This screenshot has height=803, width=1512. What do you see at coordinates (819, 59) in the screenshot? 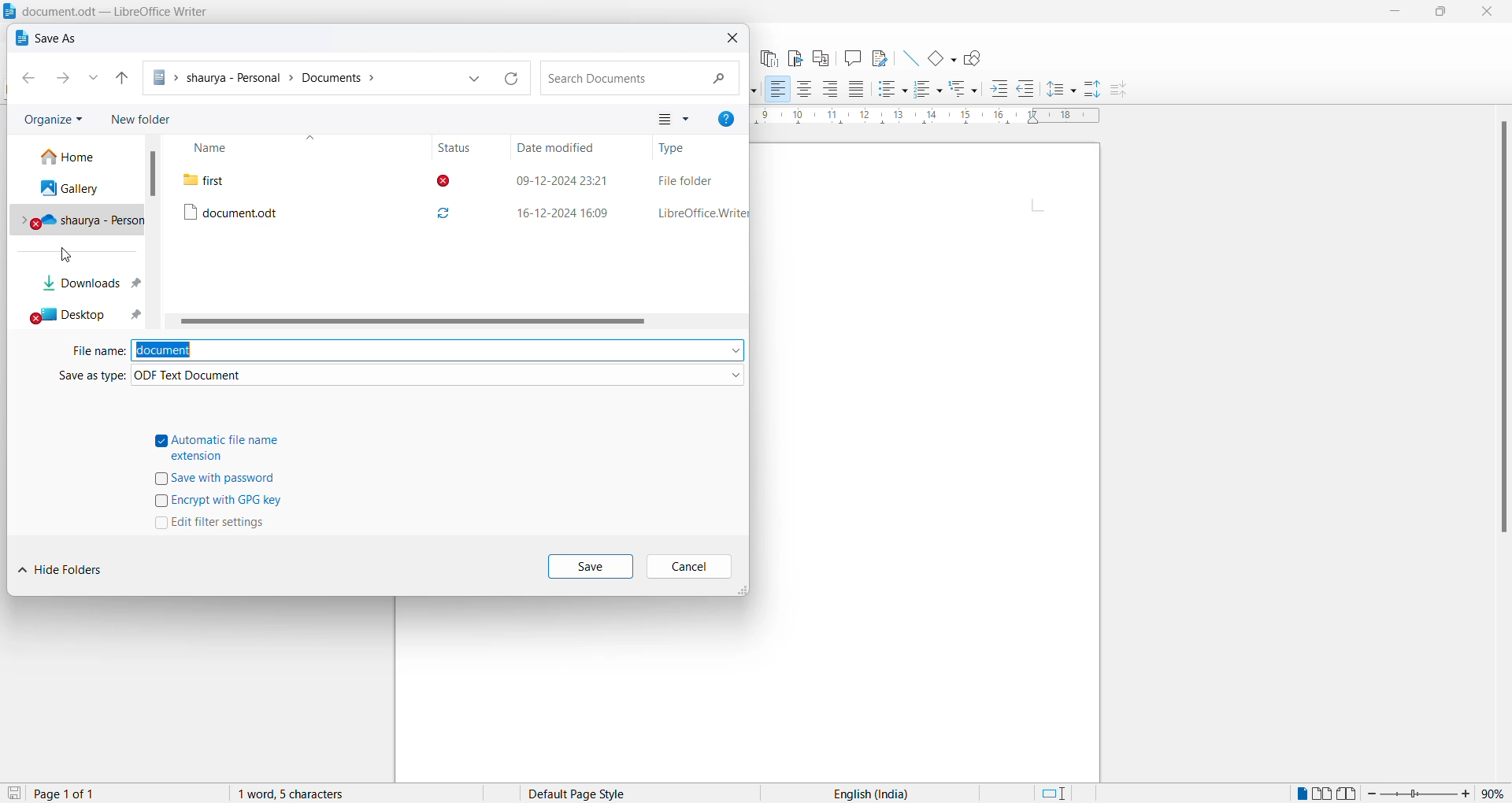
I see `Insert cross reference` at bounding box center [819, 59].